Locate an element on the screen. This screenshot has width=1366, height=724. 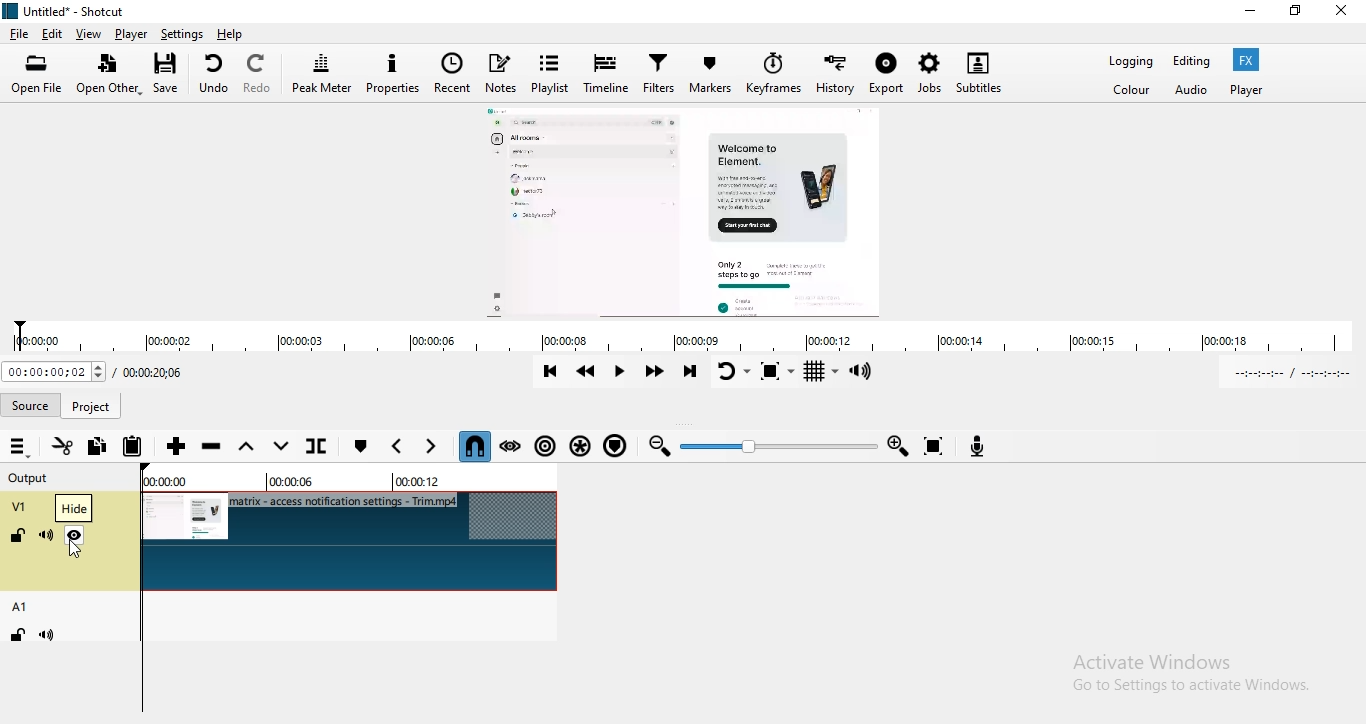
hide is located at coordinates (74, 511).